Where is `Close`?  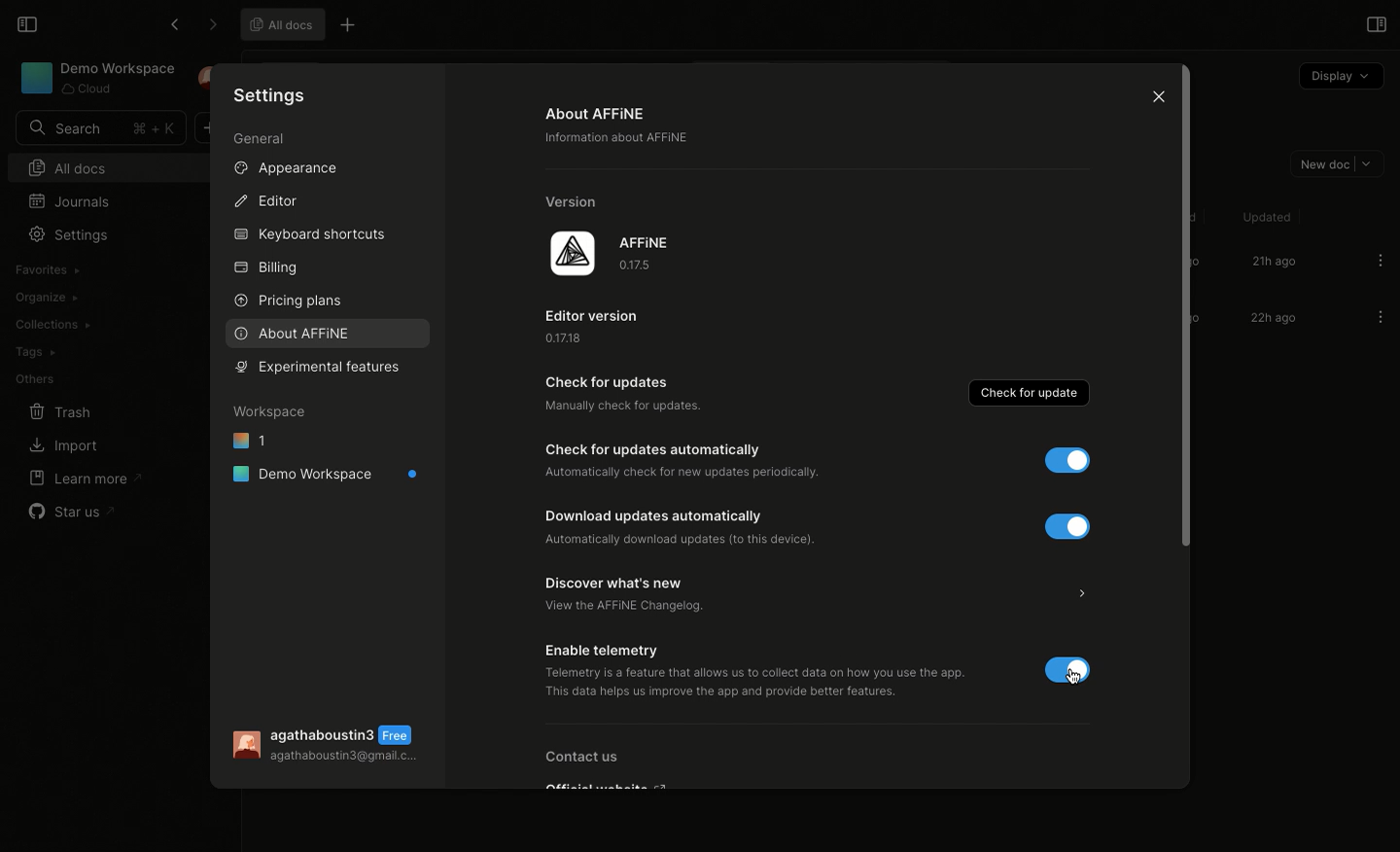
Close is located at coordinates (1154, 94).